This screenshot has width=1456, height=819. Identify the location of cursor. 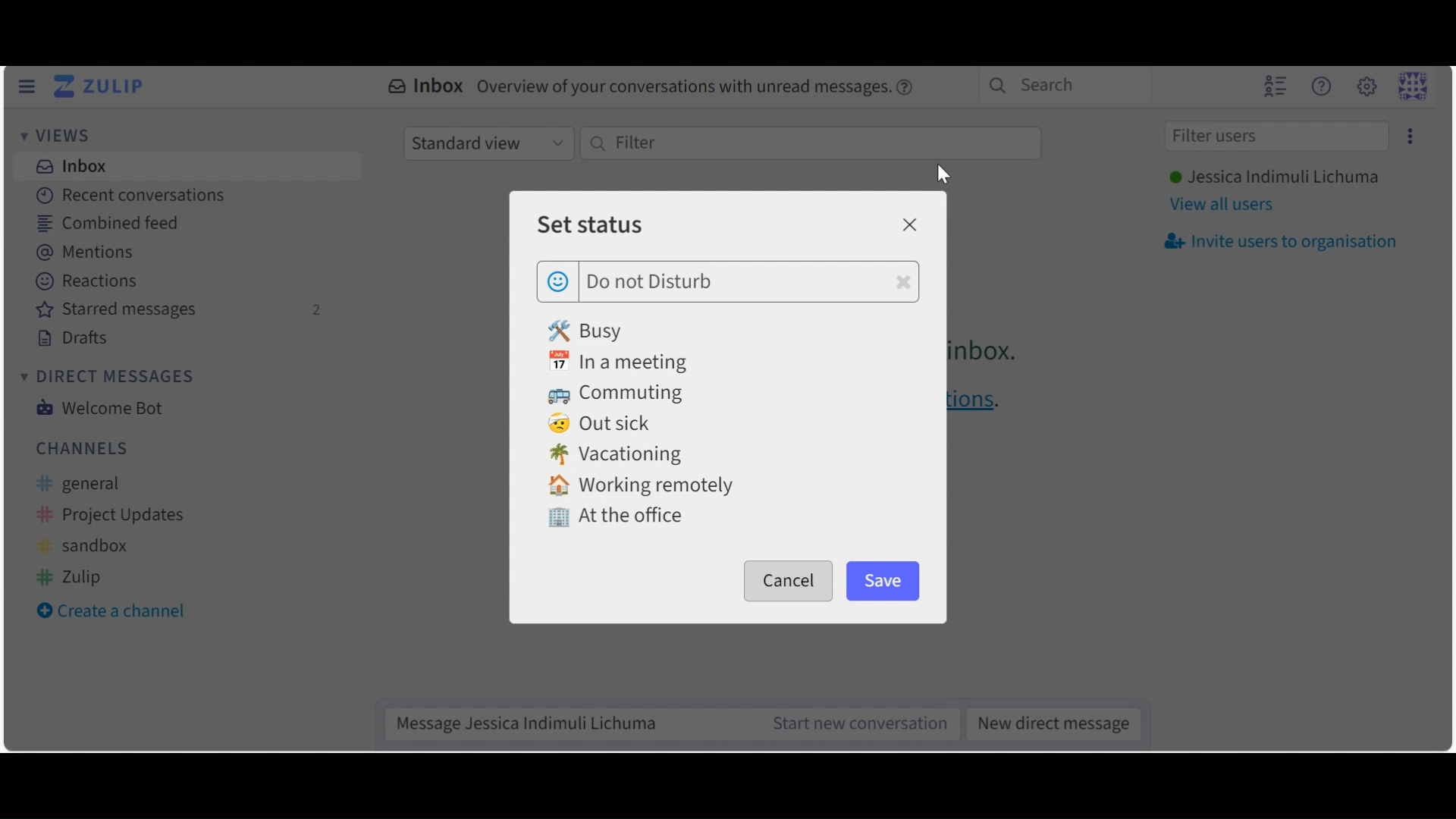
(943, 175).